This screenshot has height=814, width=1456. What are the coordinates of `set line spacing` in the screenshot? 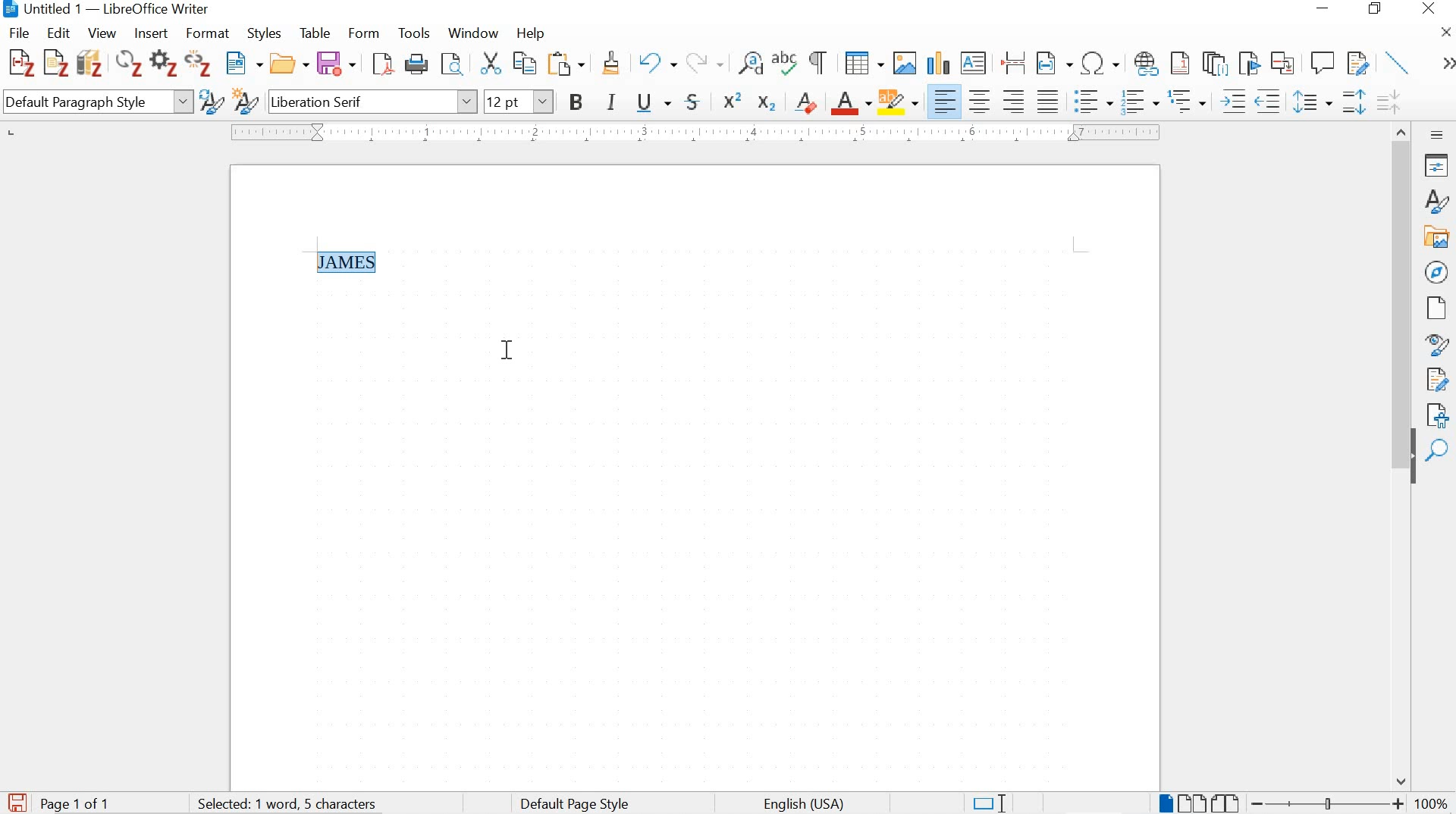 It's located at (1311, 102).